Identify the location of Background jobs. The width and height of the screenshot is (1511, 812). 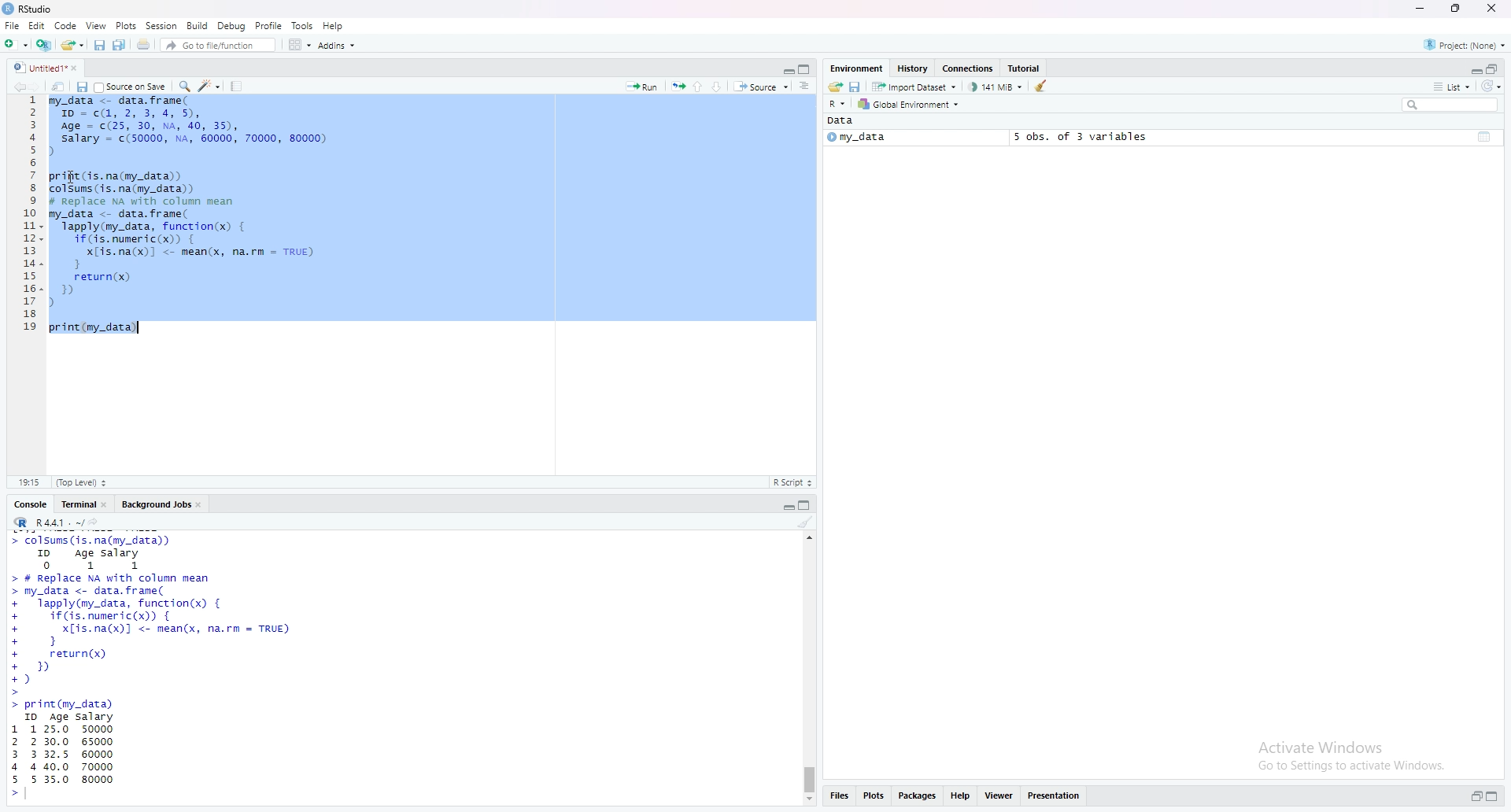
(164, 506).